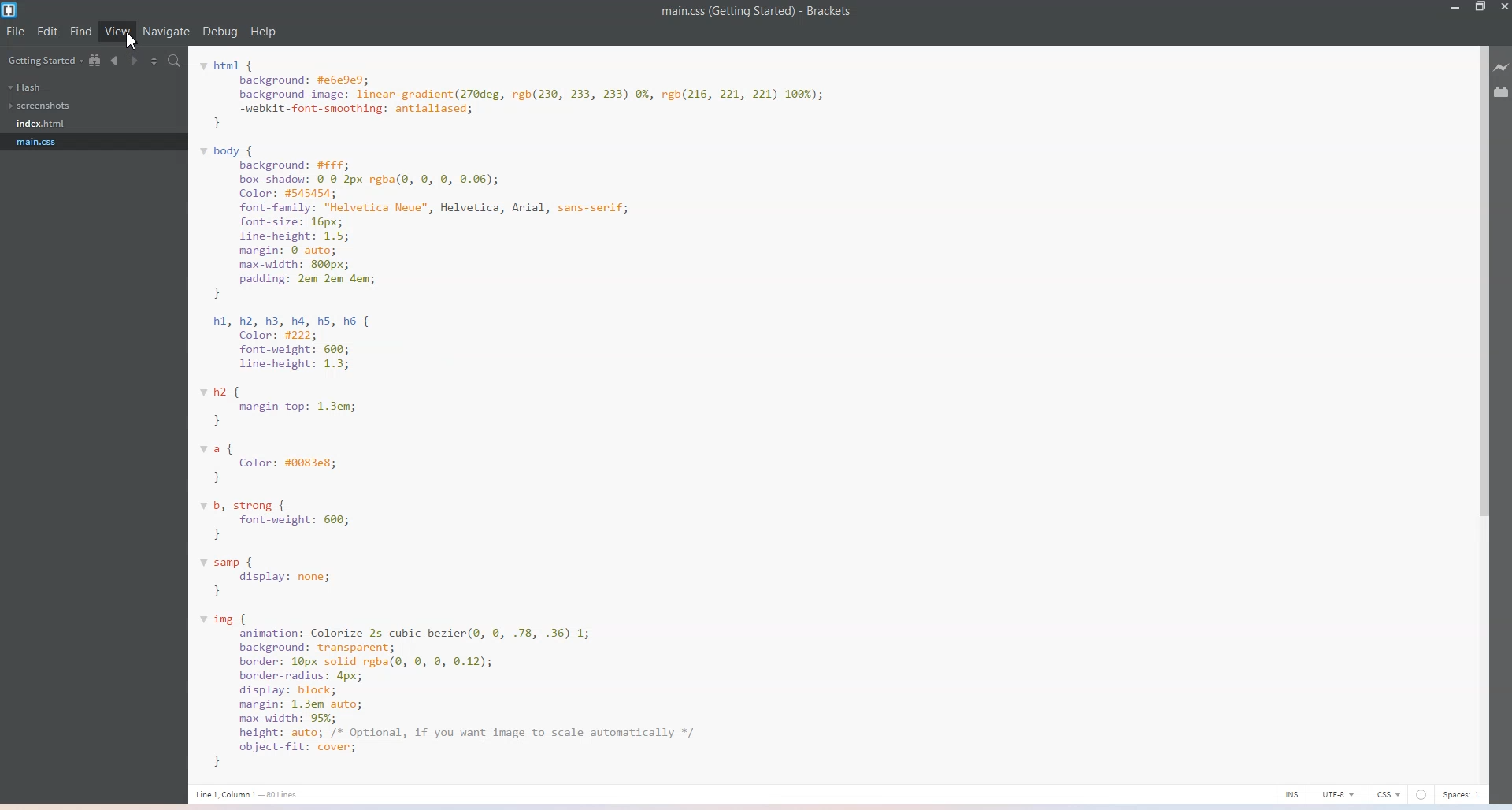  Describe the element at coordinates (220, 32) in the screenshot. I see `Debug` at that location.